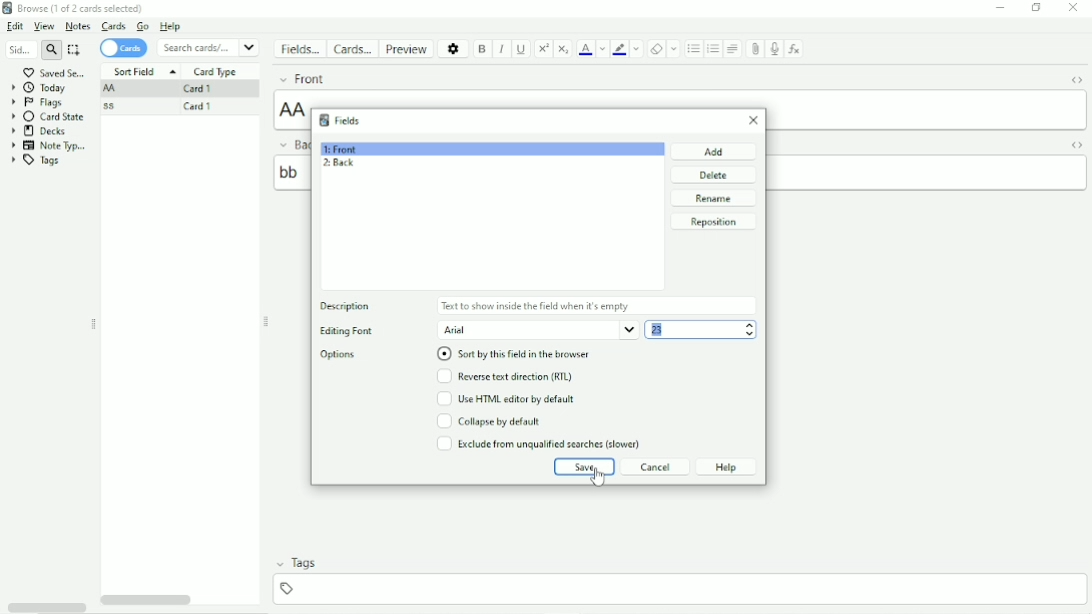  What do you see at coordinates (203, 89) in the screenshot?
I see `Card 1` at bounding box center [203, 89].